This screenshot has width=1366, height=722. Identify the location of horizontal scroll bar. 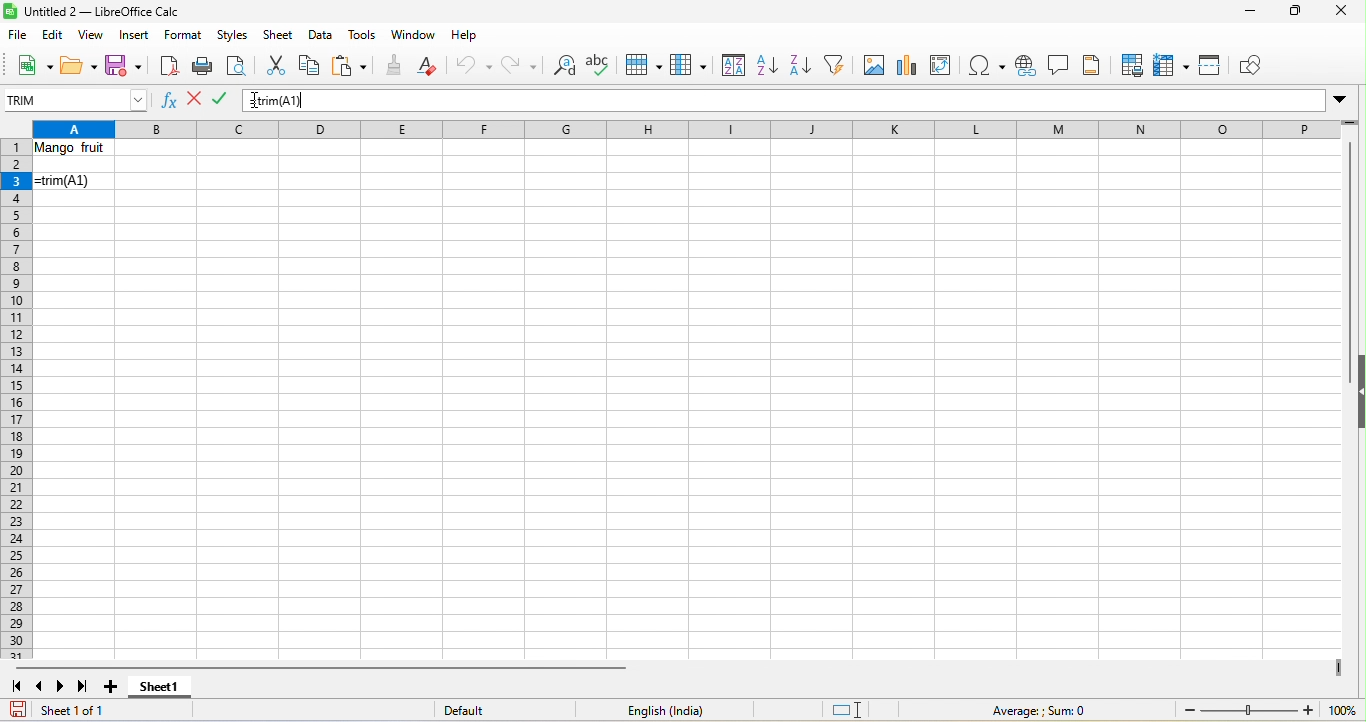
(314, 667).